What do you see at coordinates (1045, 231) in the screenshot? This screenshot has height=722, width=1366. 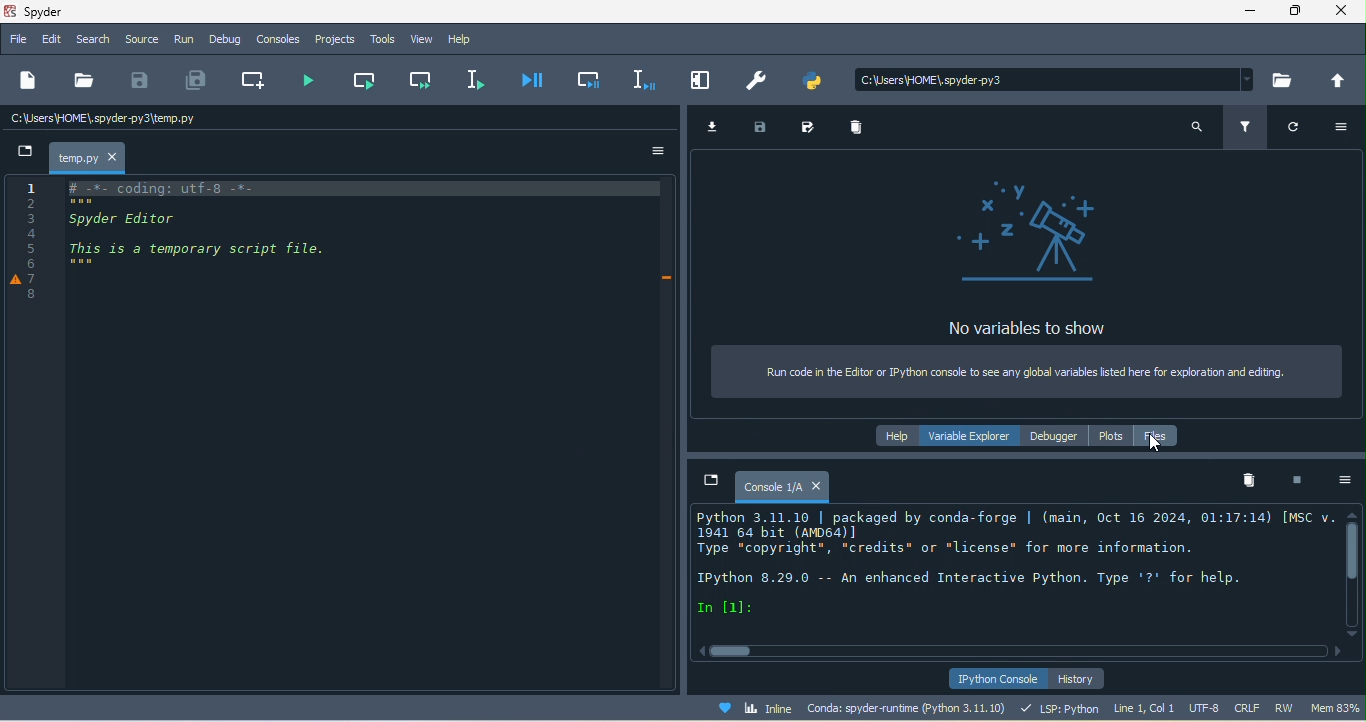 I see `telescope icon` at bounding box center [1045, 231].